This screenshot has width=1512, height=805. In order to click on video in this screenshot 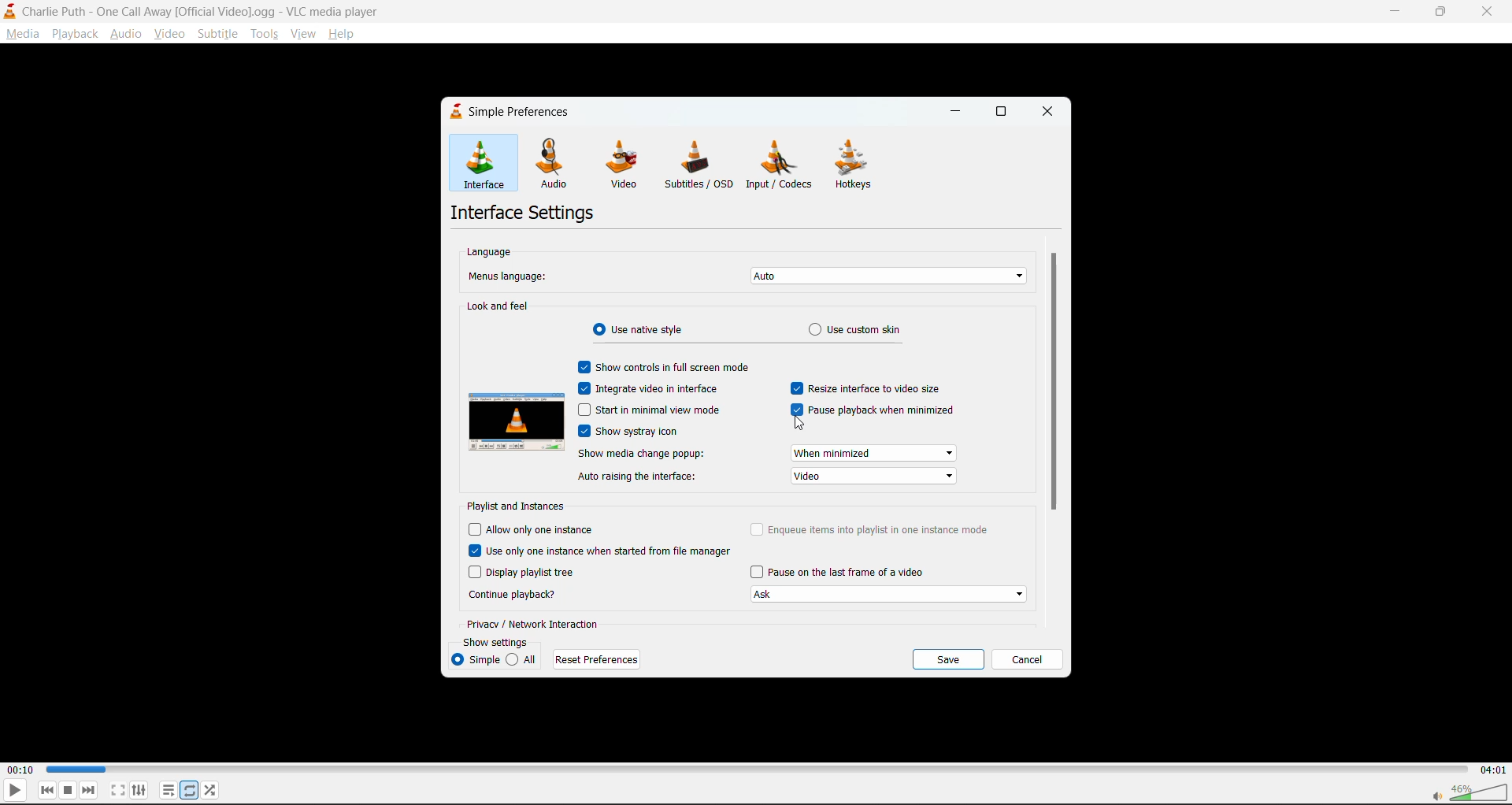, I will do `click(625, 166)`.